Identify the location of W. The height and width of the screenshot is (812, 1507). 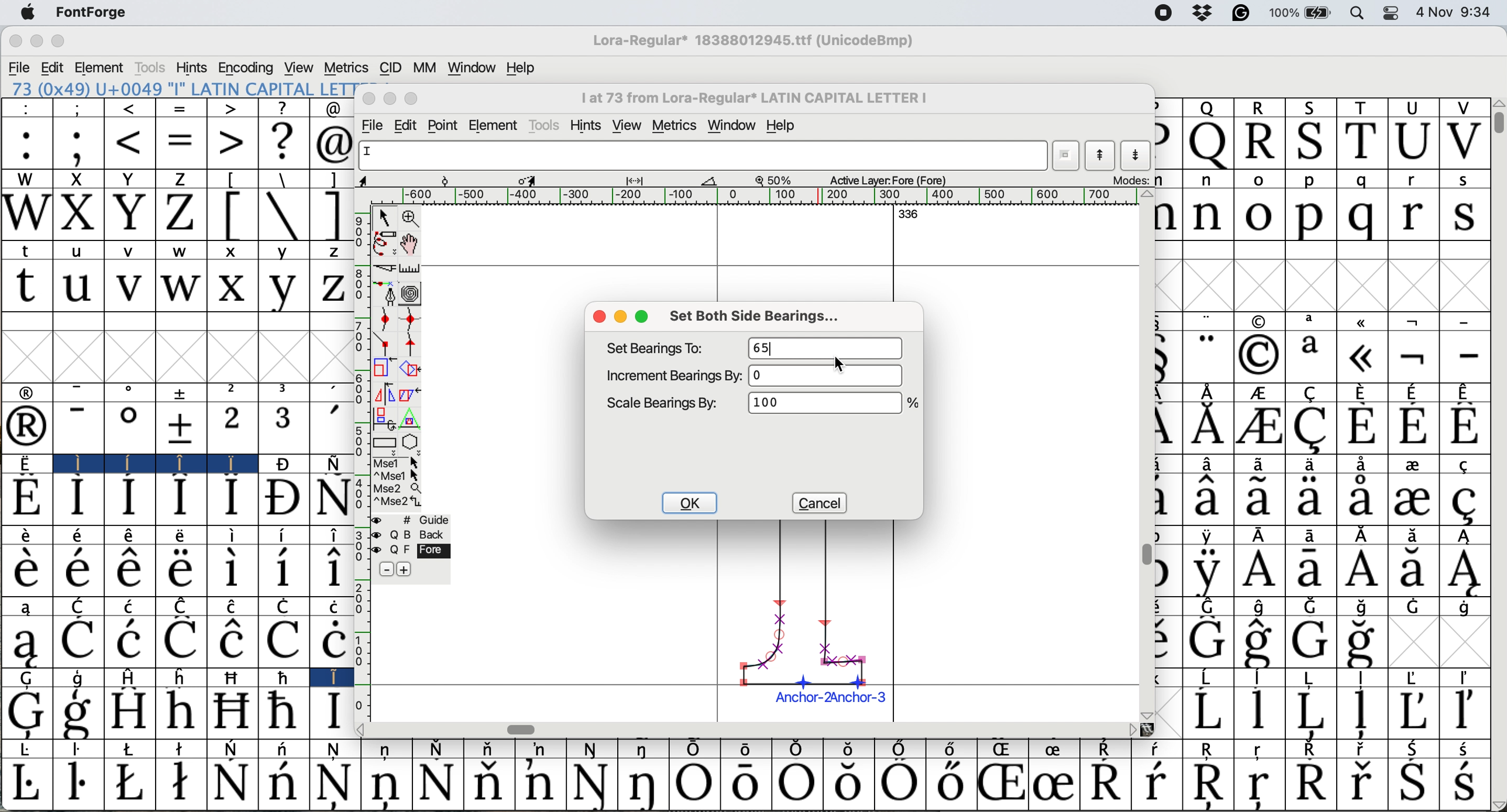
(26, 180).